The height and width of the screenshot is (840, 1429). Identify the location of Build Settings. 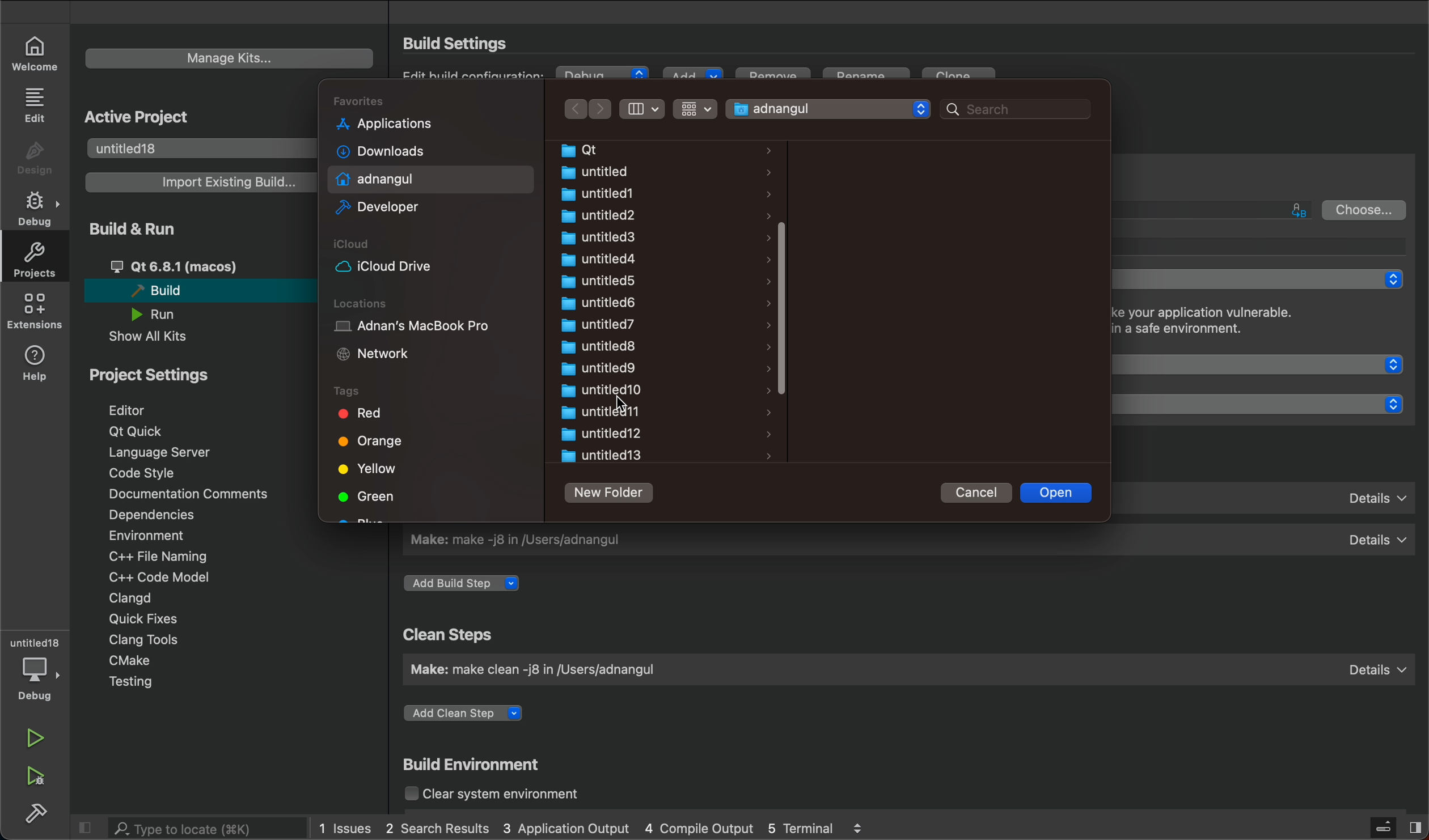
(458, 44).